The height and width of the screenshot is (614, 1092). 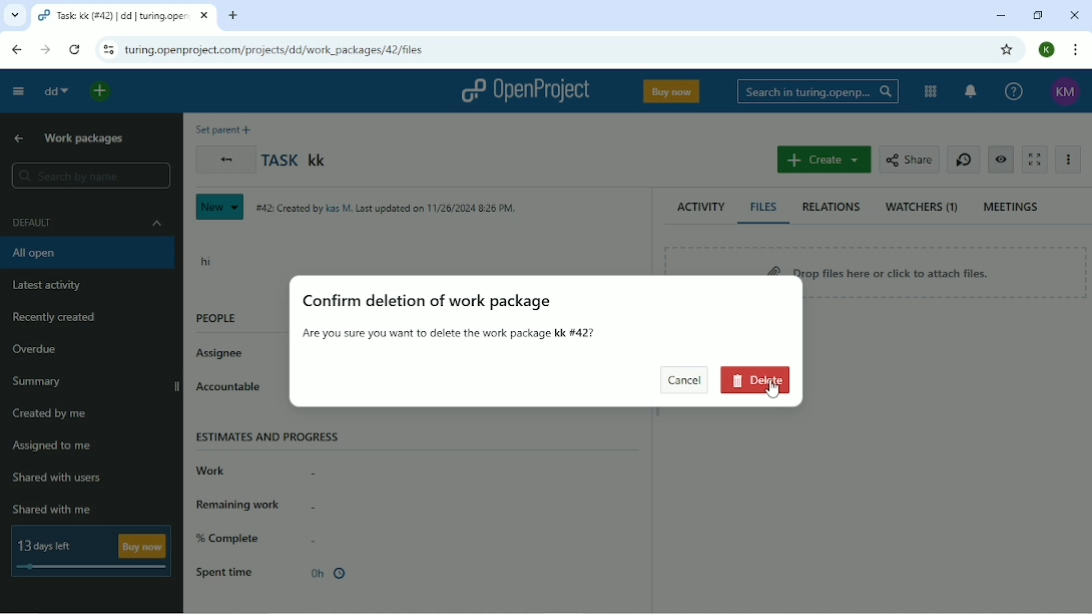 I want to click on Work, so click(x=254, y=472).